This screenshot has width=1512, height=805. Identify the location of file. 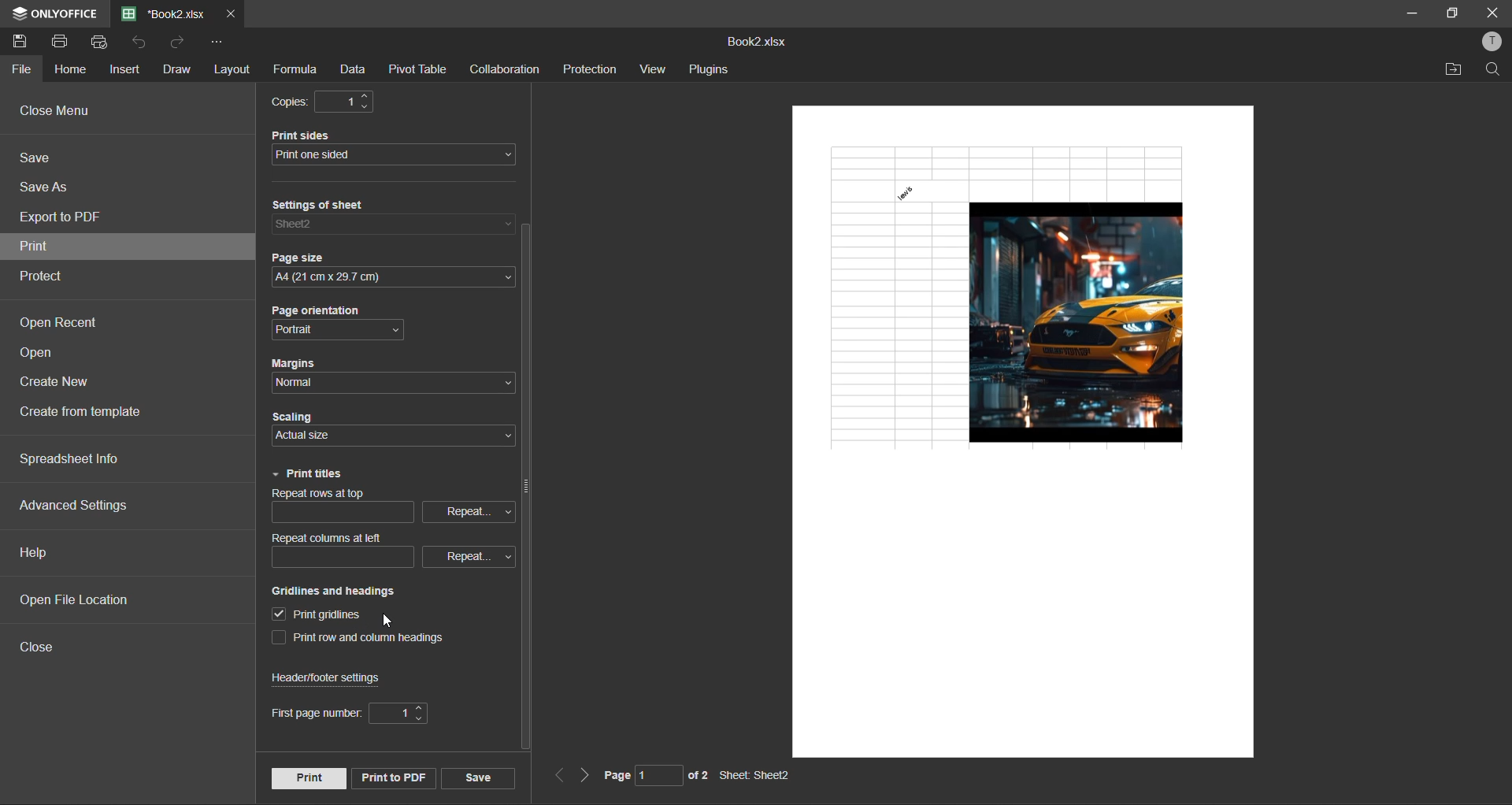
(20, 71).